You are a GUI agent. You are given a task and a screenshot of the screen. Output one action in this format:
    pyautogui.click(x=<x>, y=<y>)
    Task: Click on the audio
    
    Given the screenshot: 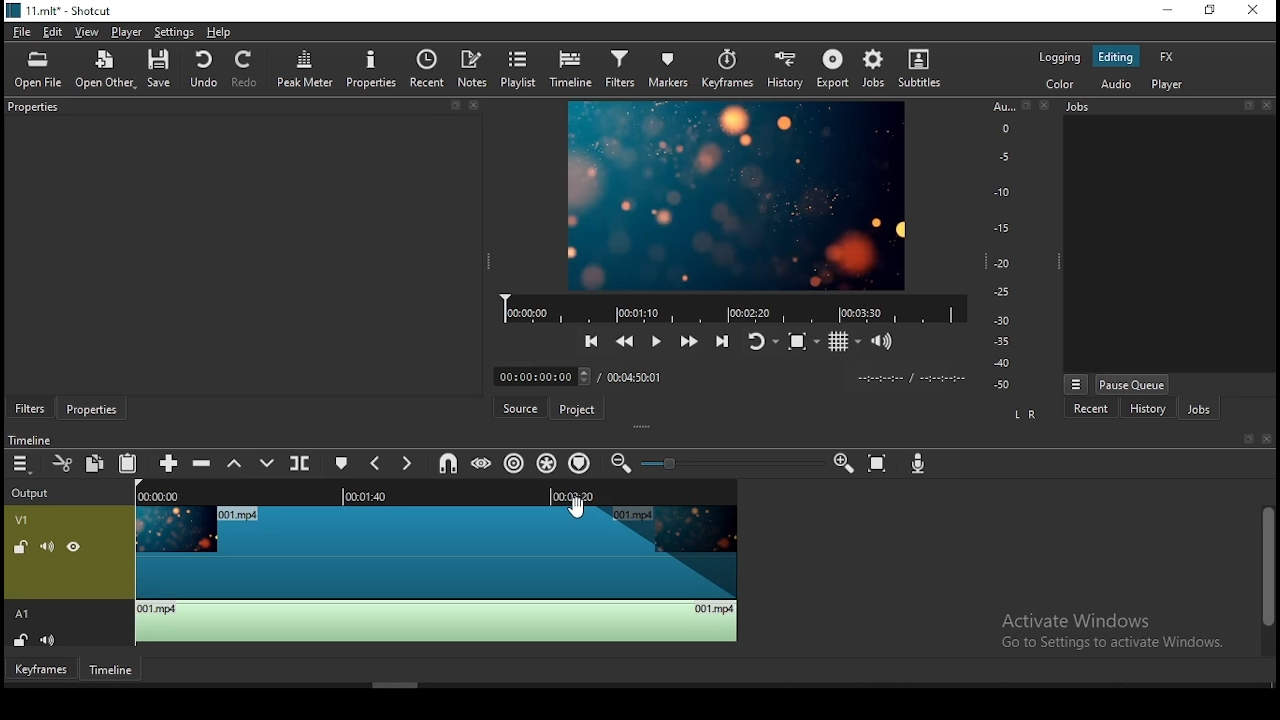 What is the action you would take?
    pyautogui.click(x=1119, y=84)
    